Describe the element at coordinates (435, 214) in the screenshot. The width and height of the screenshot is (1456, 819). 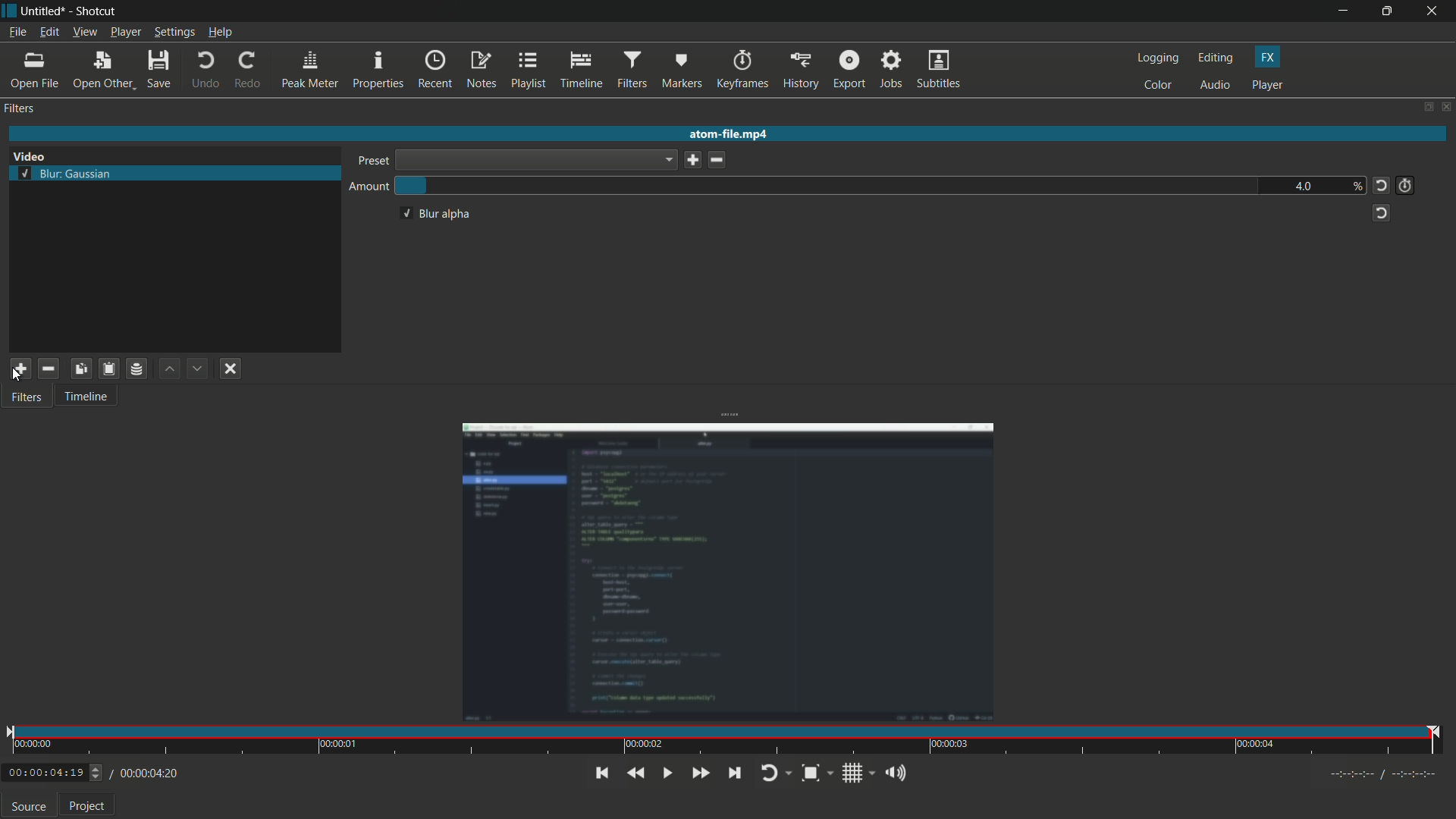
I see `blue alpha` at that location.